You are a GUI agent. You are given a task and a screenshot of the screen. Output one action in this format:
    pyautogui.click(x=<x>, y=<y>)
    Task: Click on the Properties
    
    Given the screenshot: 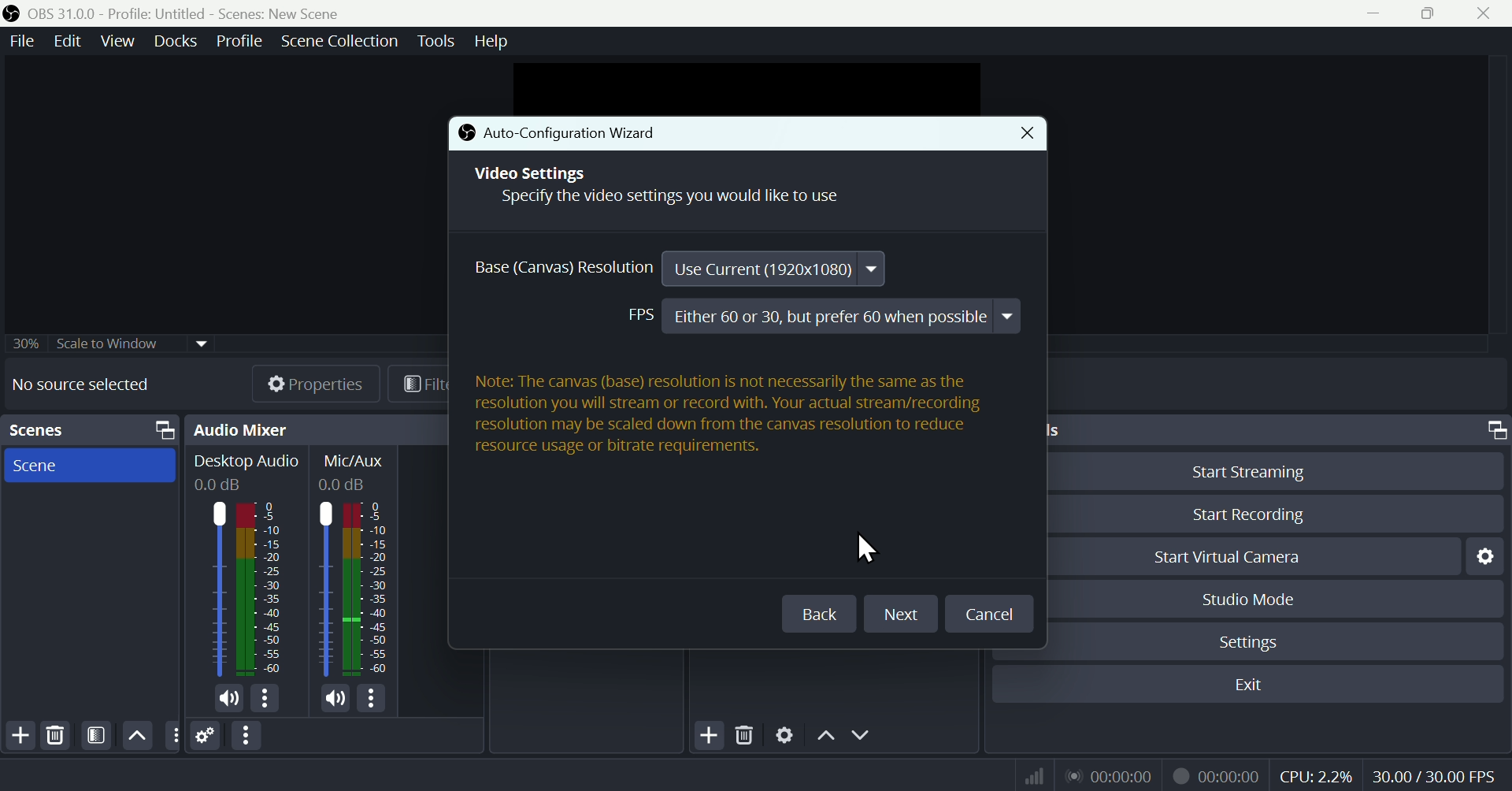 What is the action you would take?
    pyautogui.click(x=301, y=383)
    